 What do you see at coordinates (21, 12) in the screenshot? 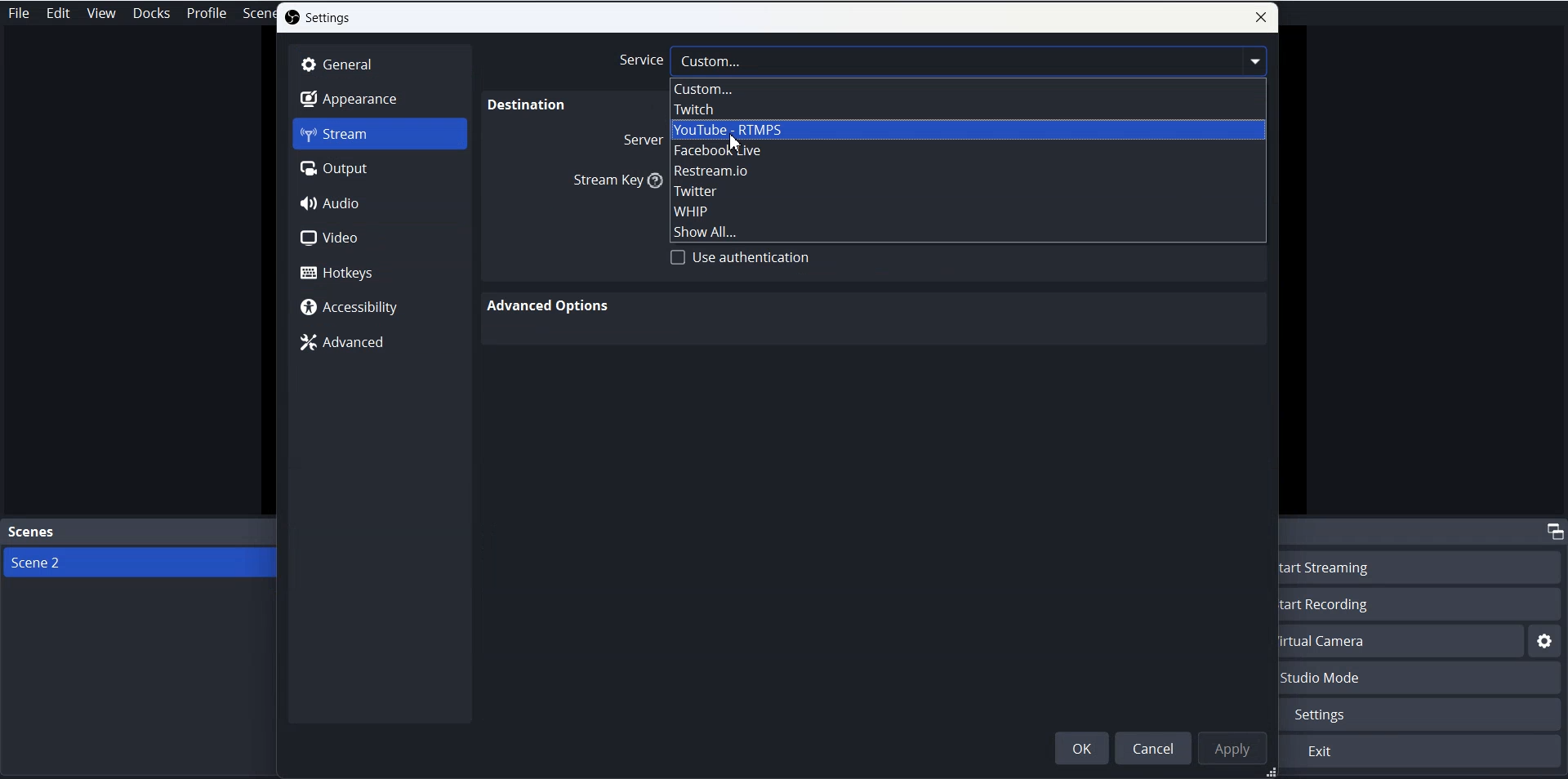
I see `File` at bounding box center [21, 12].